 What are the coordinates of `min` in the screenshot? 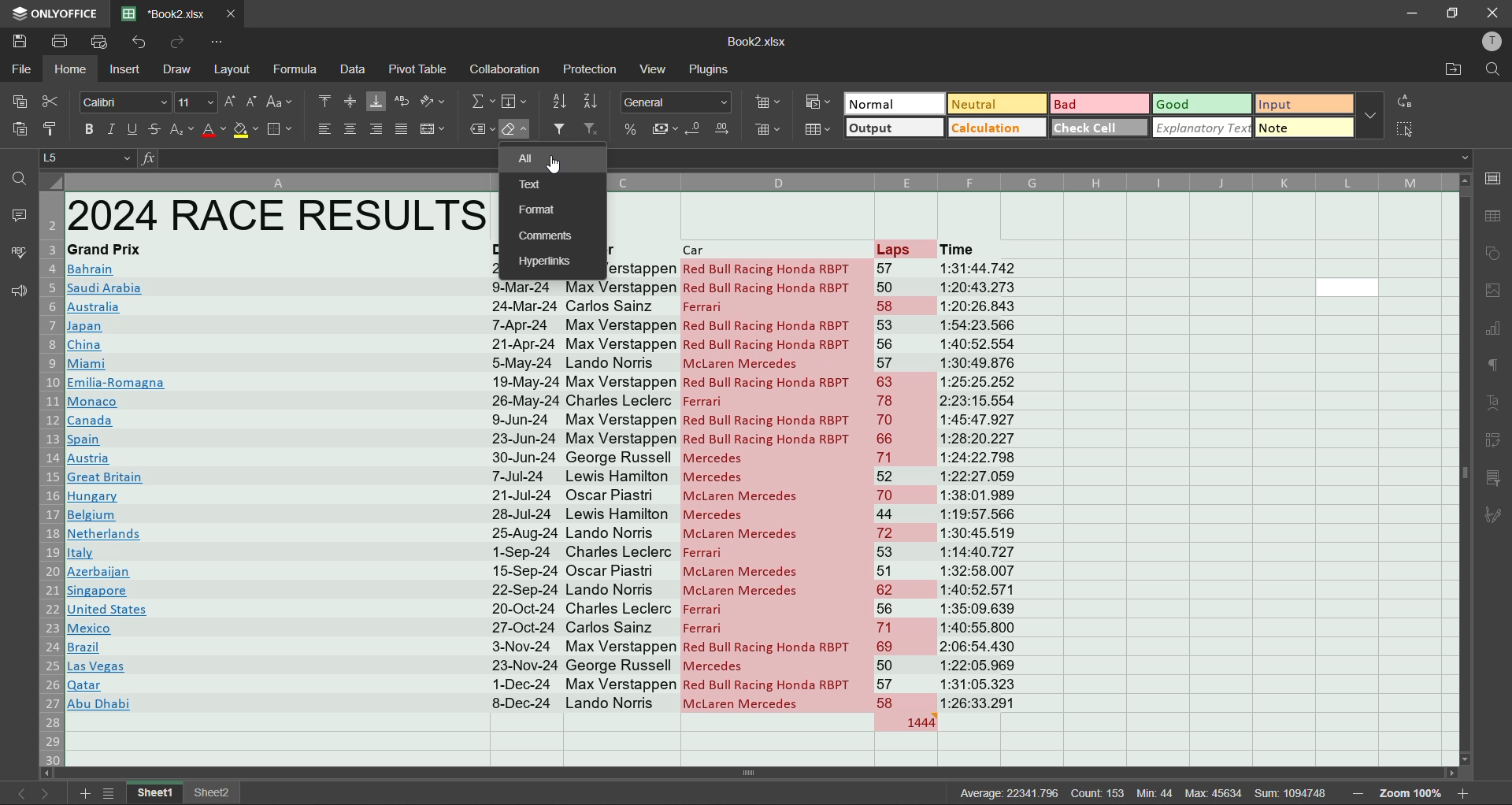 It's located at (1158, 793).